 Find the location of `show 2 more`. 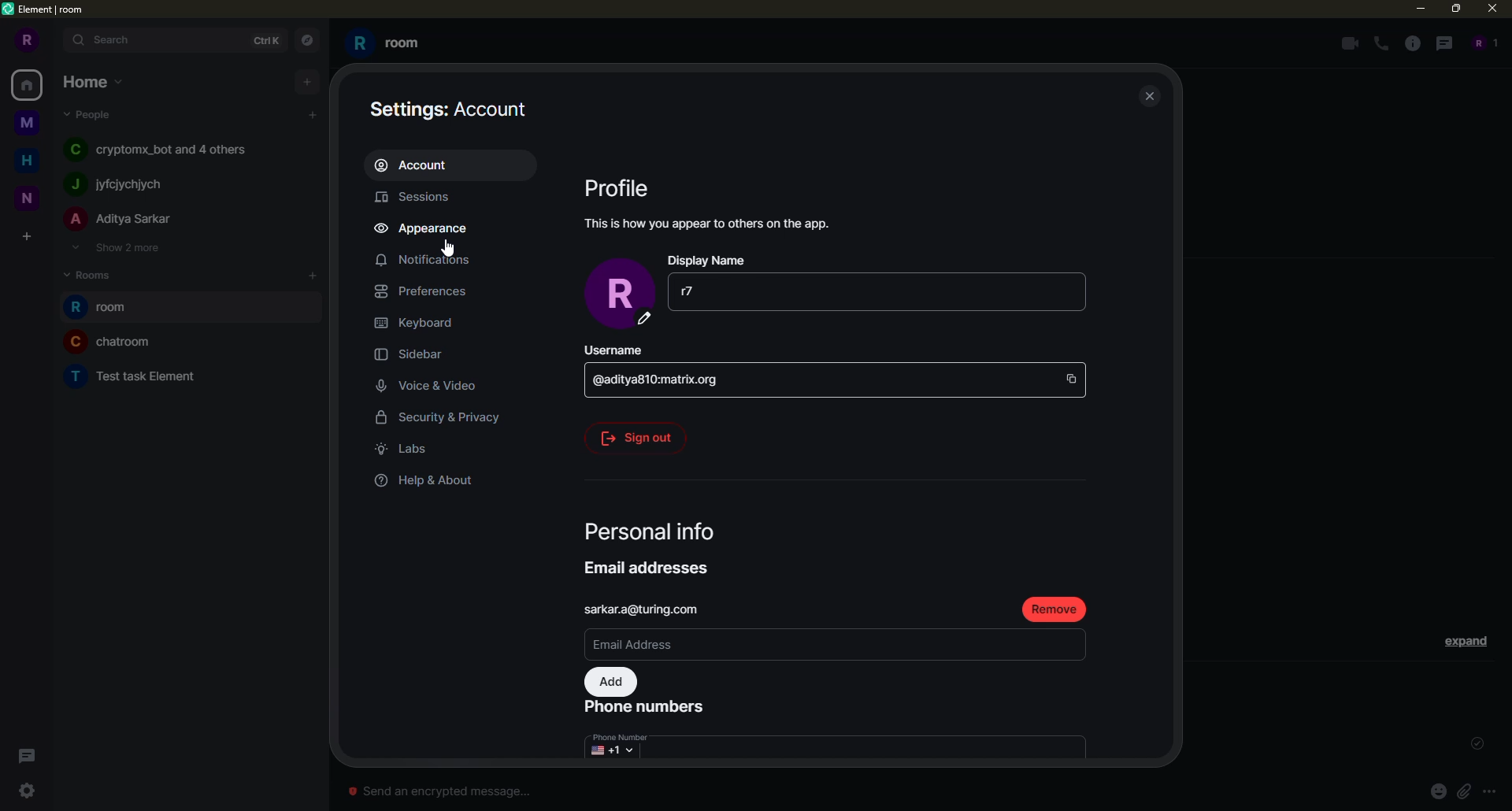

show 2 more is located at coordinates (115, 247).